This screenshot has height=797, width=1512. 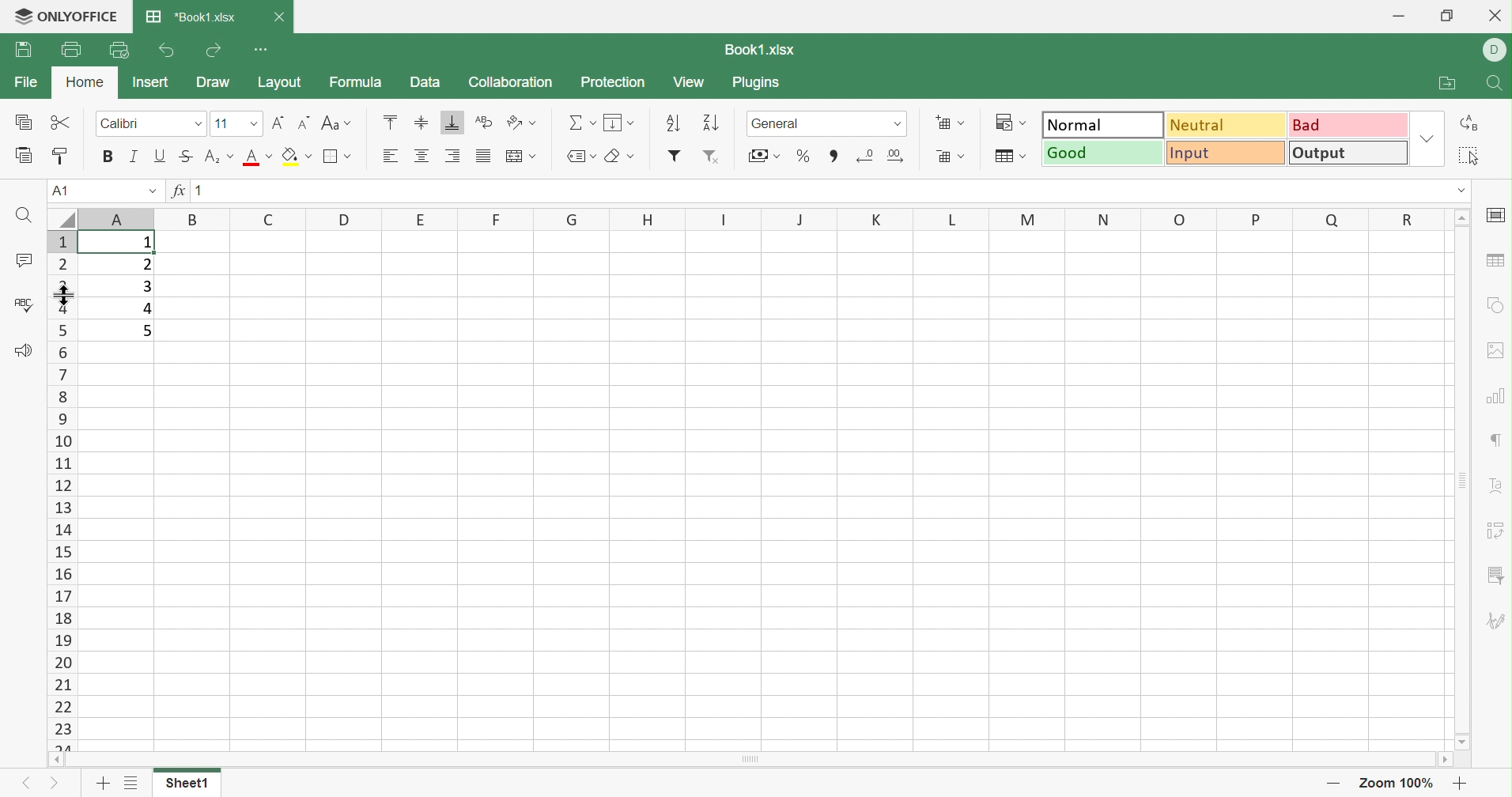 I want to click on Decrement cells, so click(x=865, y=153).